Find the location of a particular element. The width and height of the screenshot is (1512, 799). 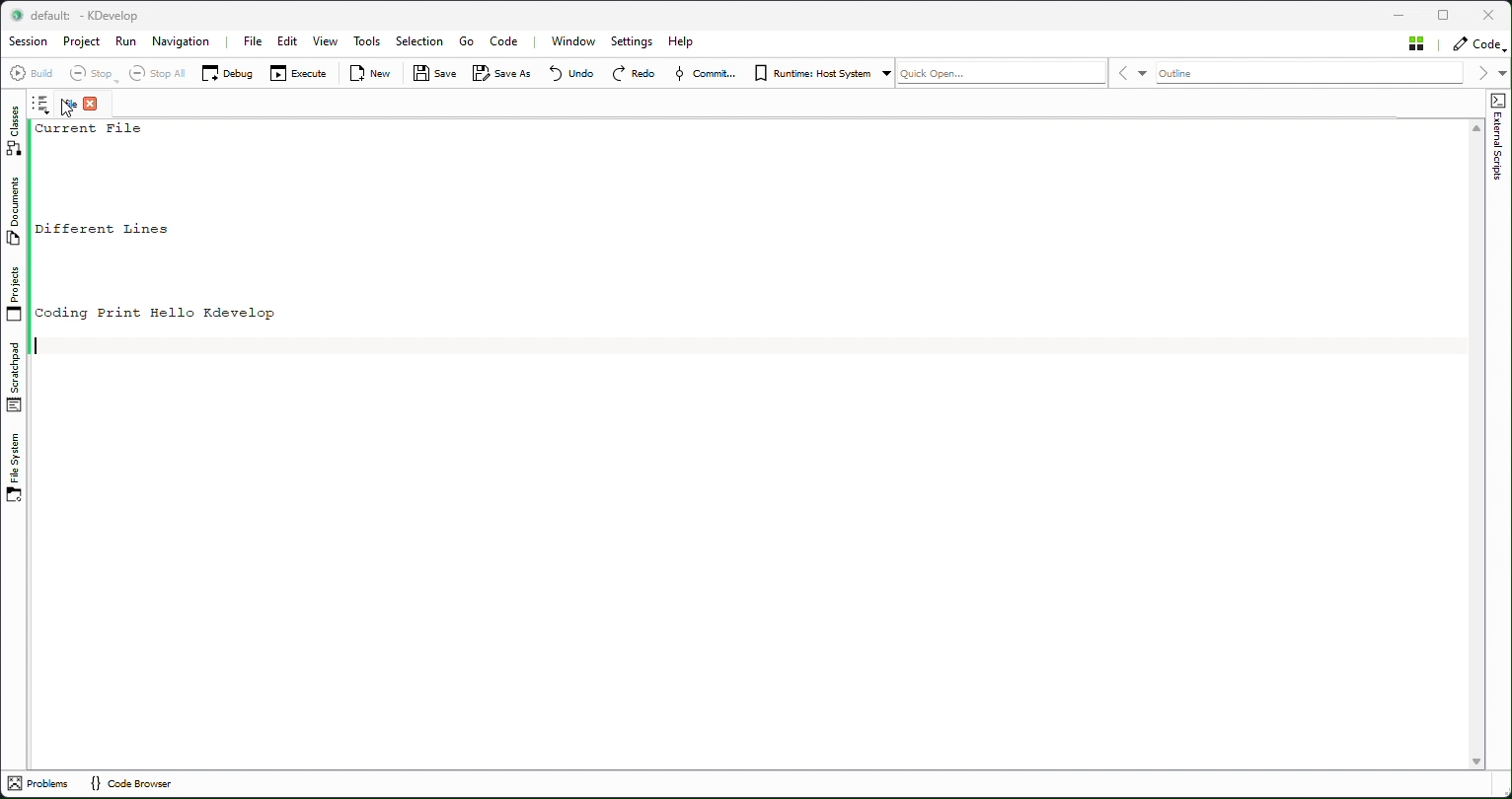

Current File  Different Line   Coding Print Hello KDevelop is located at coordinates (747, 441).